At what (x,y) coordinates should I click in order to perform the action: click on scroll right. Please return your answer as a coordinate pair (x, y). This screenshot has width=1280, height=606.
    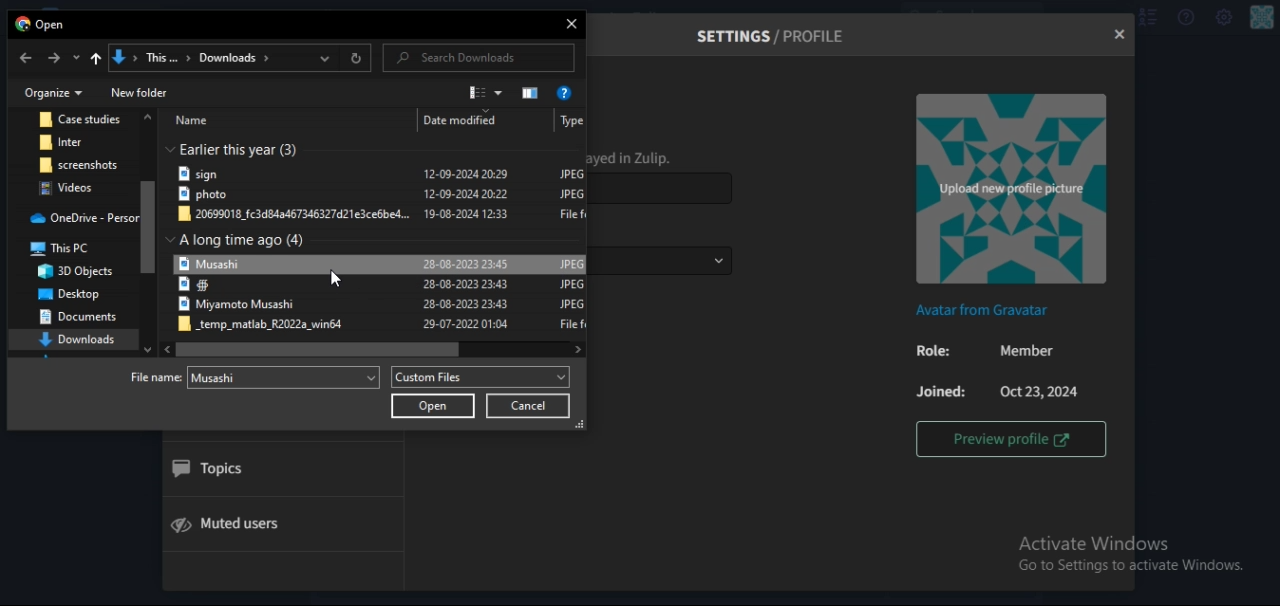
    Looking at the image, I should click on (576, 348).